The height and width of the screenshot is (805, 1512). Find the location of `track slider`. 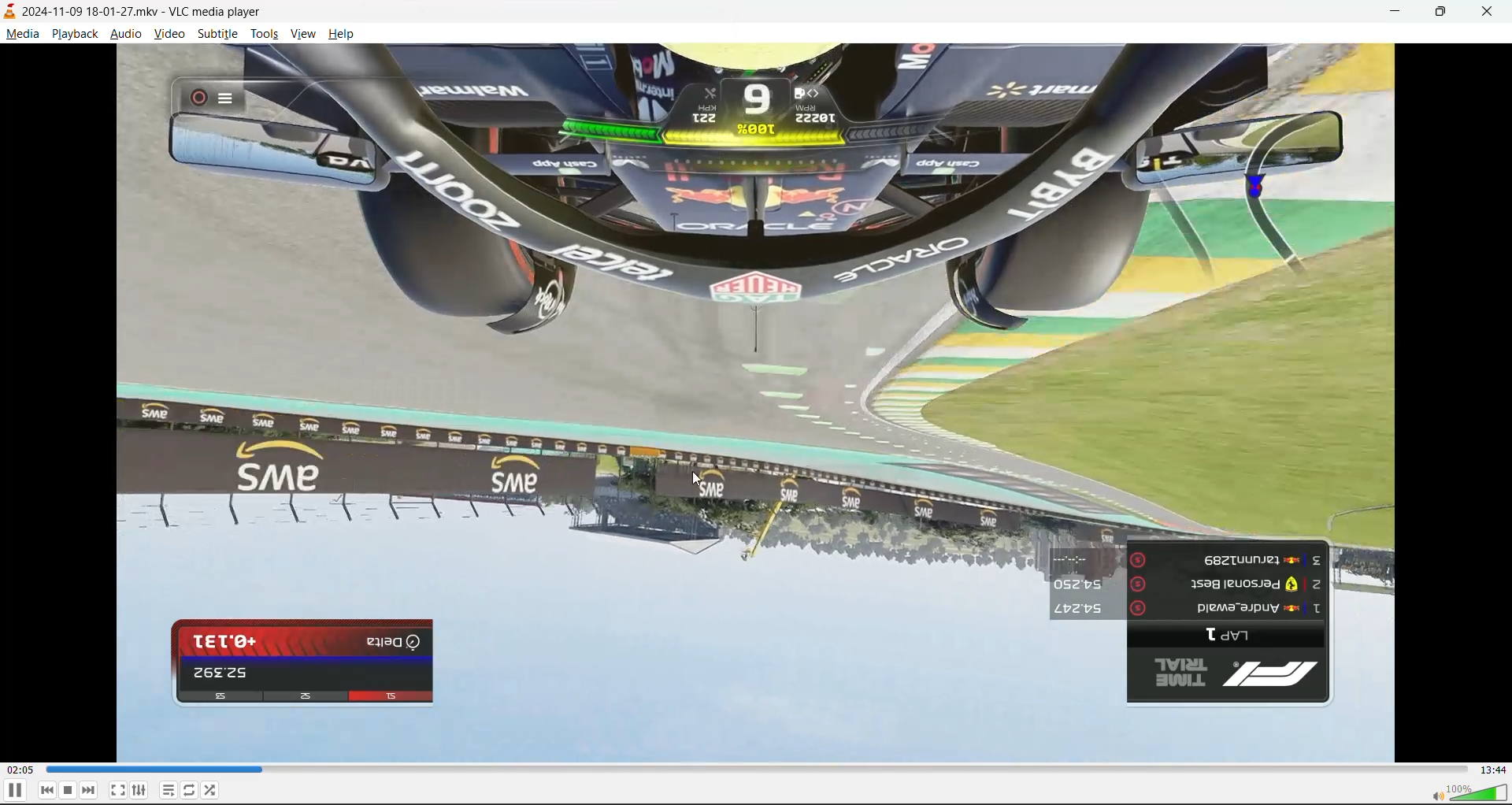

track slider is located at coordinates (752, 772).